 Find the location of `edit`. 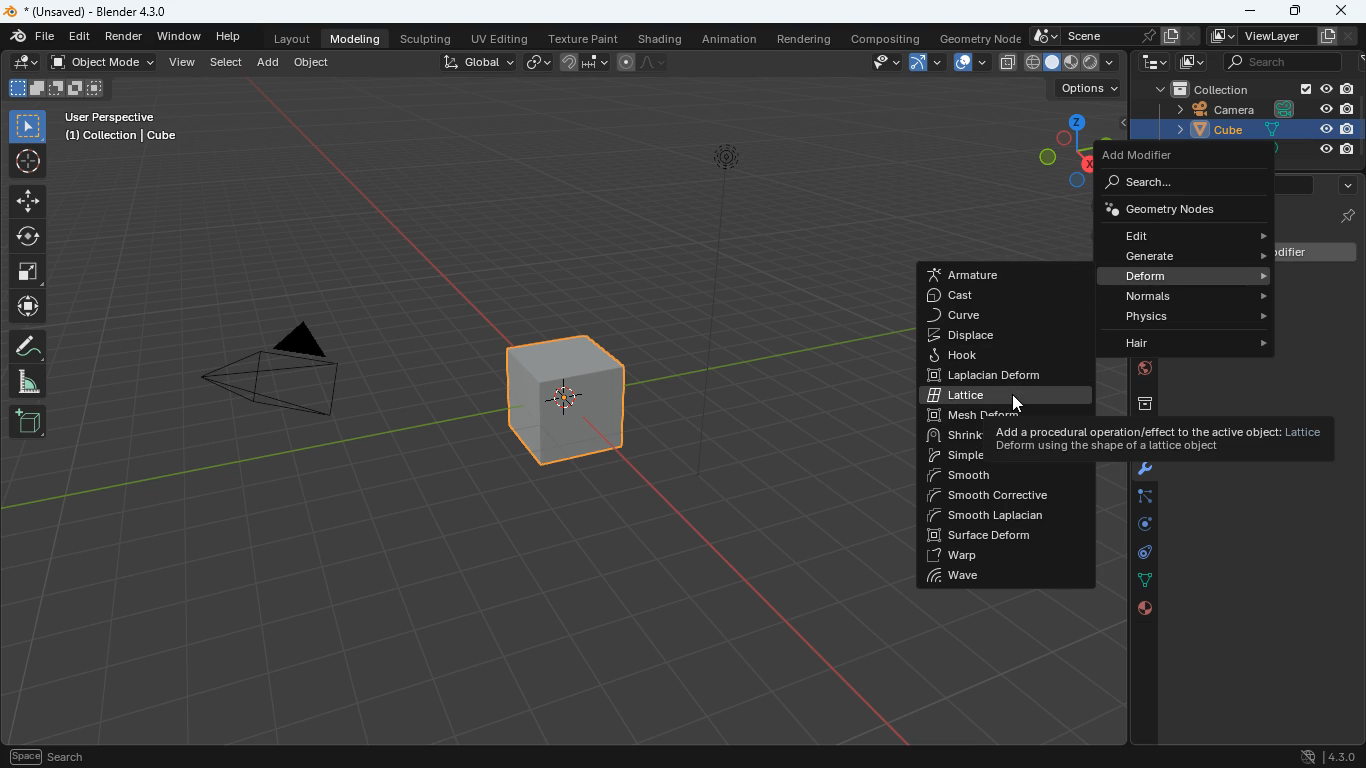

edit is located at coordinates (1174, 237).